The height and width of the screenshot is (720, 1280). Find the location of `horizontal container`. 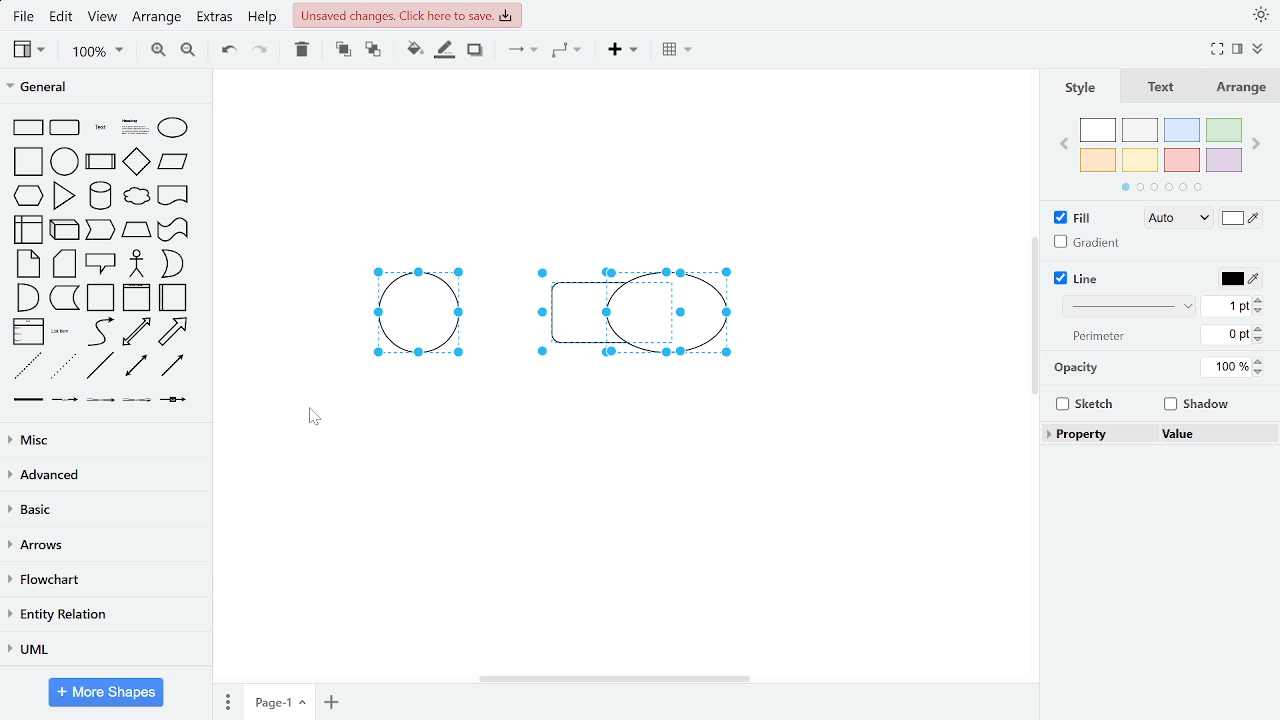

horizontal container is located at coordinates (175, 297).